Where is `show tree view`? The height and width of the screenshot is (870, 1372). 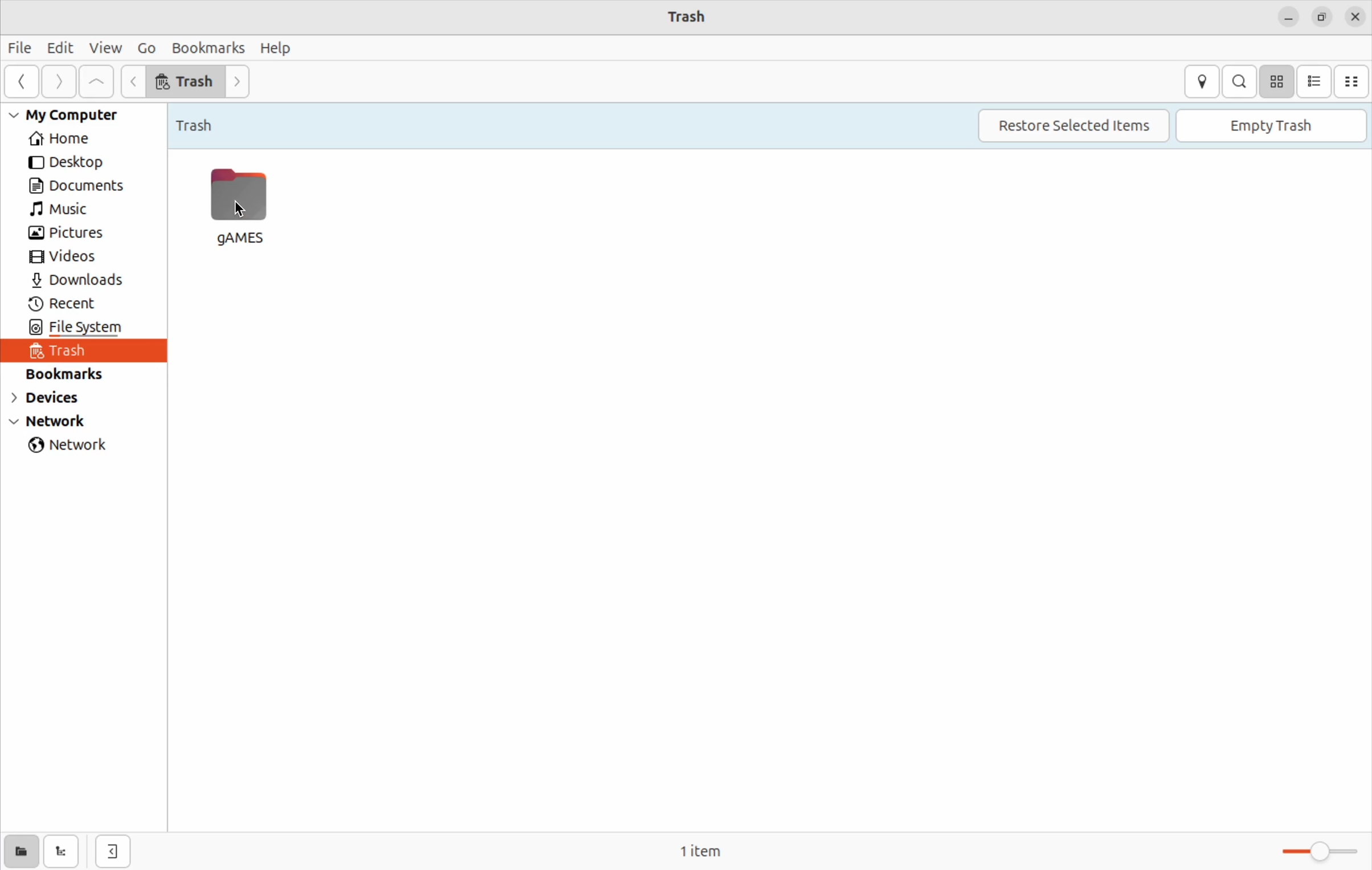
show tree view is located at coordinates (64, 852).